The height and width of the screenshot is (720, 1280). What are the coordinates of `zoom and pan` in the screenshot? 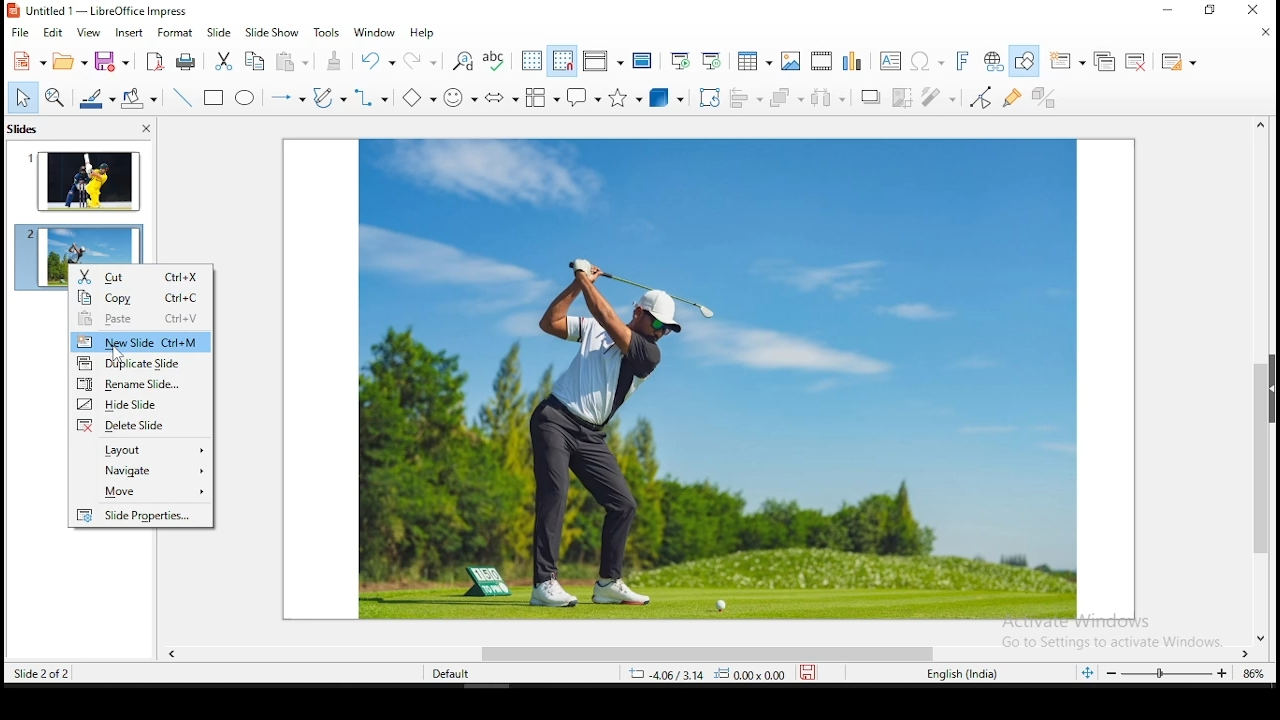 It's located at (56, 97).